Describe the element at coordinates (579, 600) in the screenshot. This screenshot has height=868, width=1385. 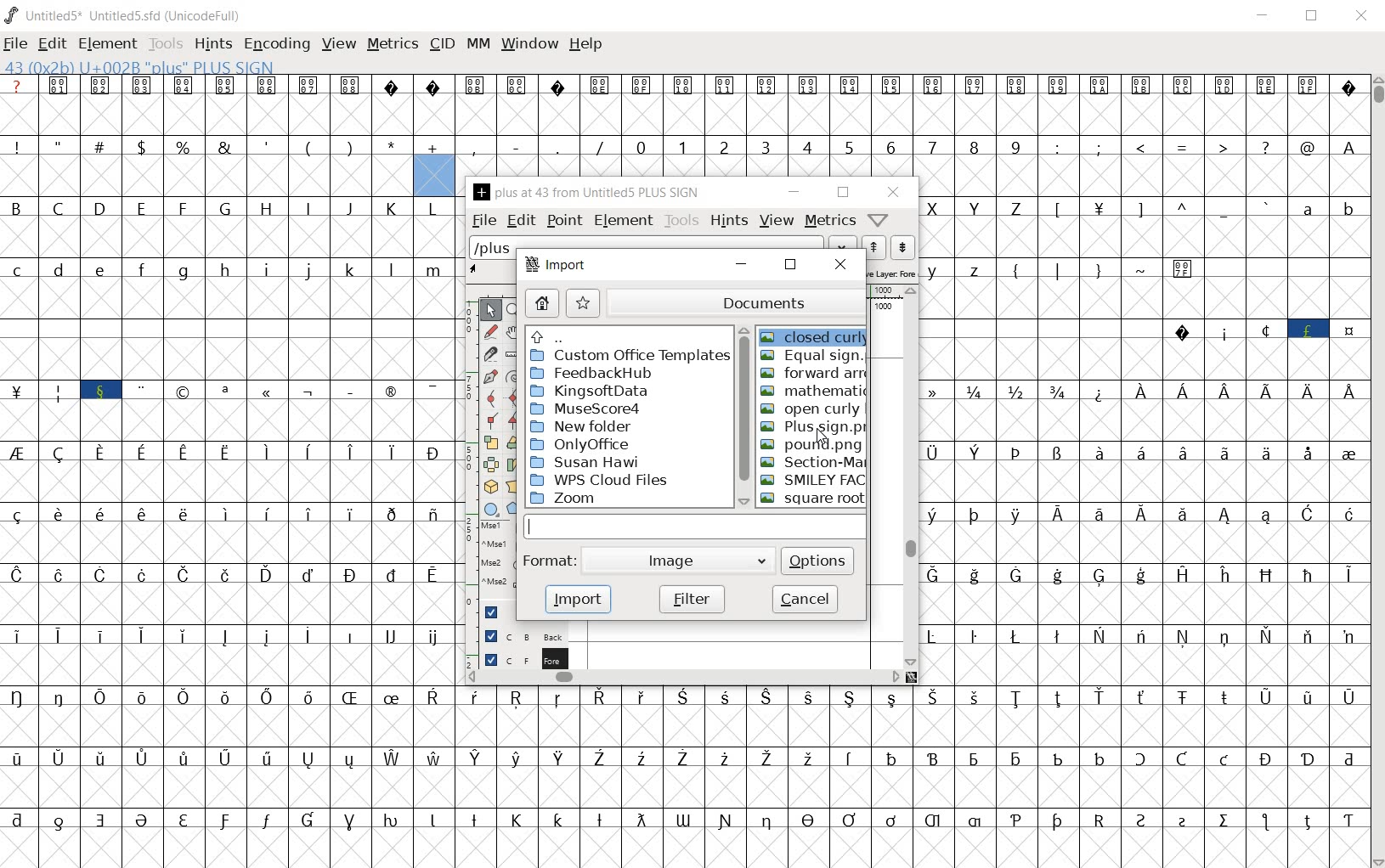
I see `import` at that location.